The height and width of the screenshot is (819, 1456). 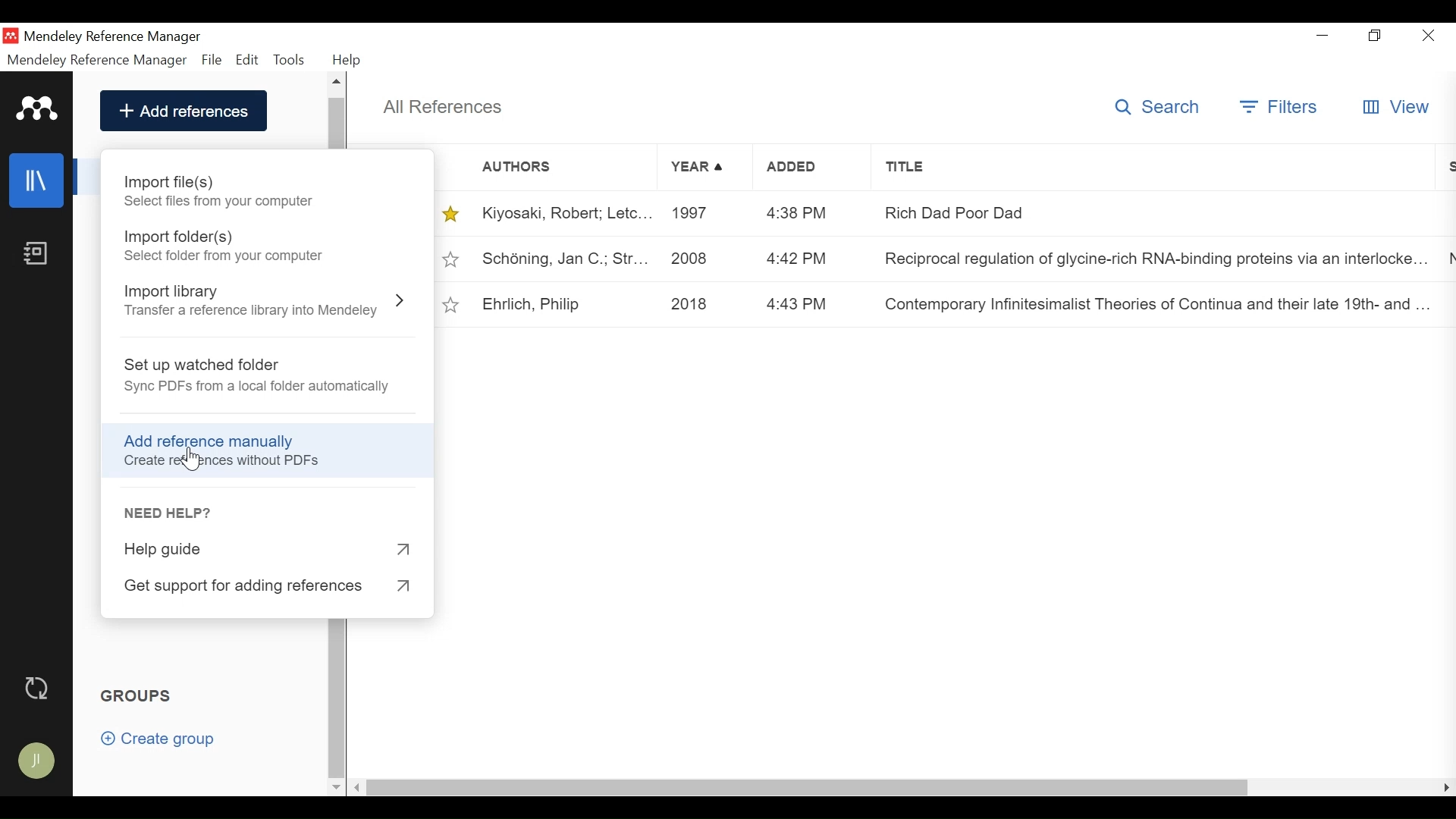 What do you see at coordinates (798, 211) in the screenshot?
I see `4:38 PM` at bounding box center [798, 211].